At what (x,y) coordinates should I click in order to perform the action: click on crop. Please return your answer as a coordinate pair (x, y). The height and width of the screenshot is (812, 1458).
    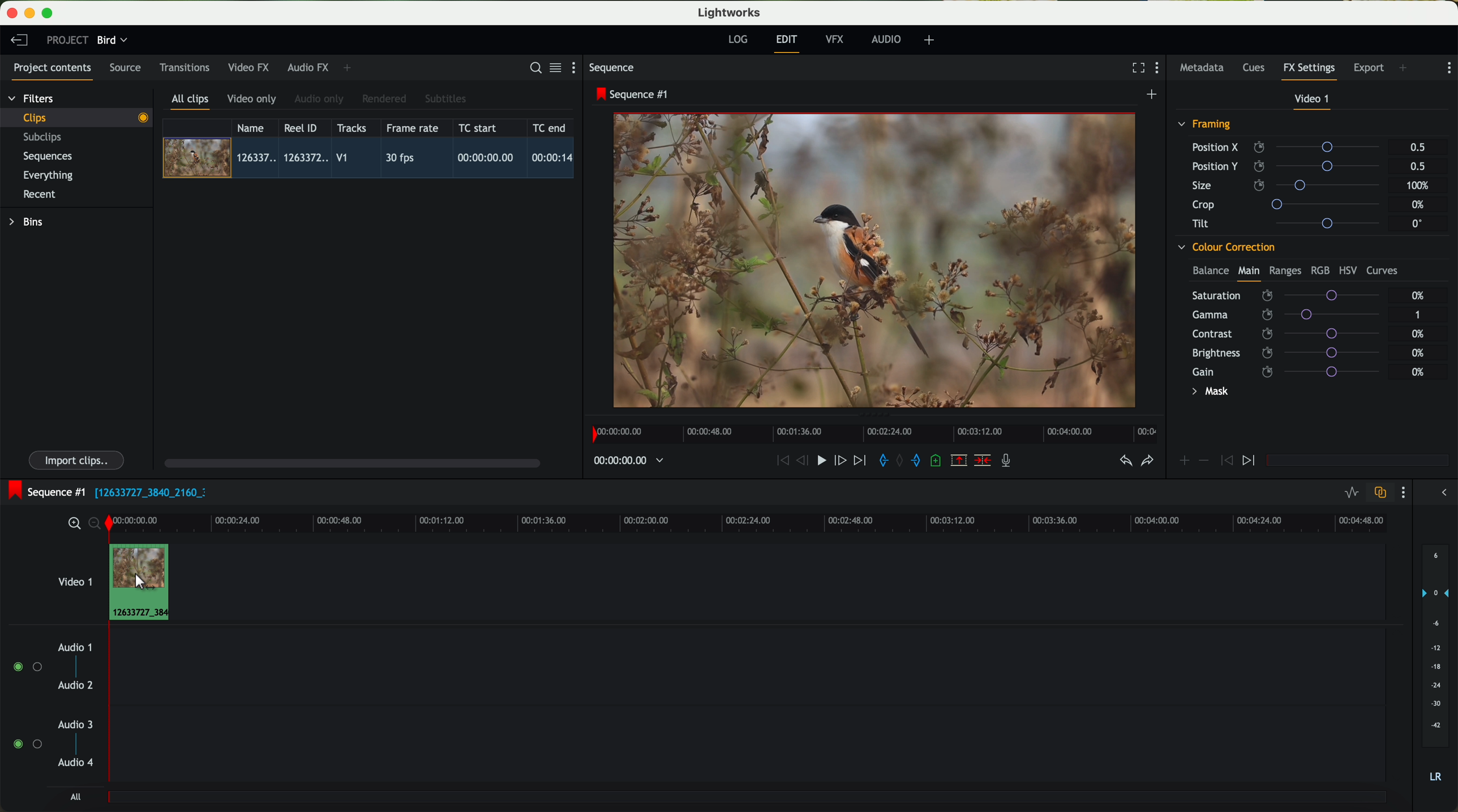
    Looking at the image, I should click on (1290, 204).